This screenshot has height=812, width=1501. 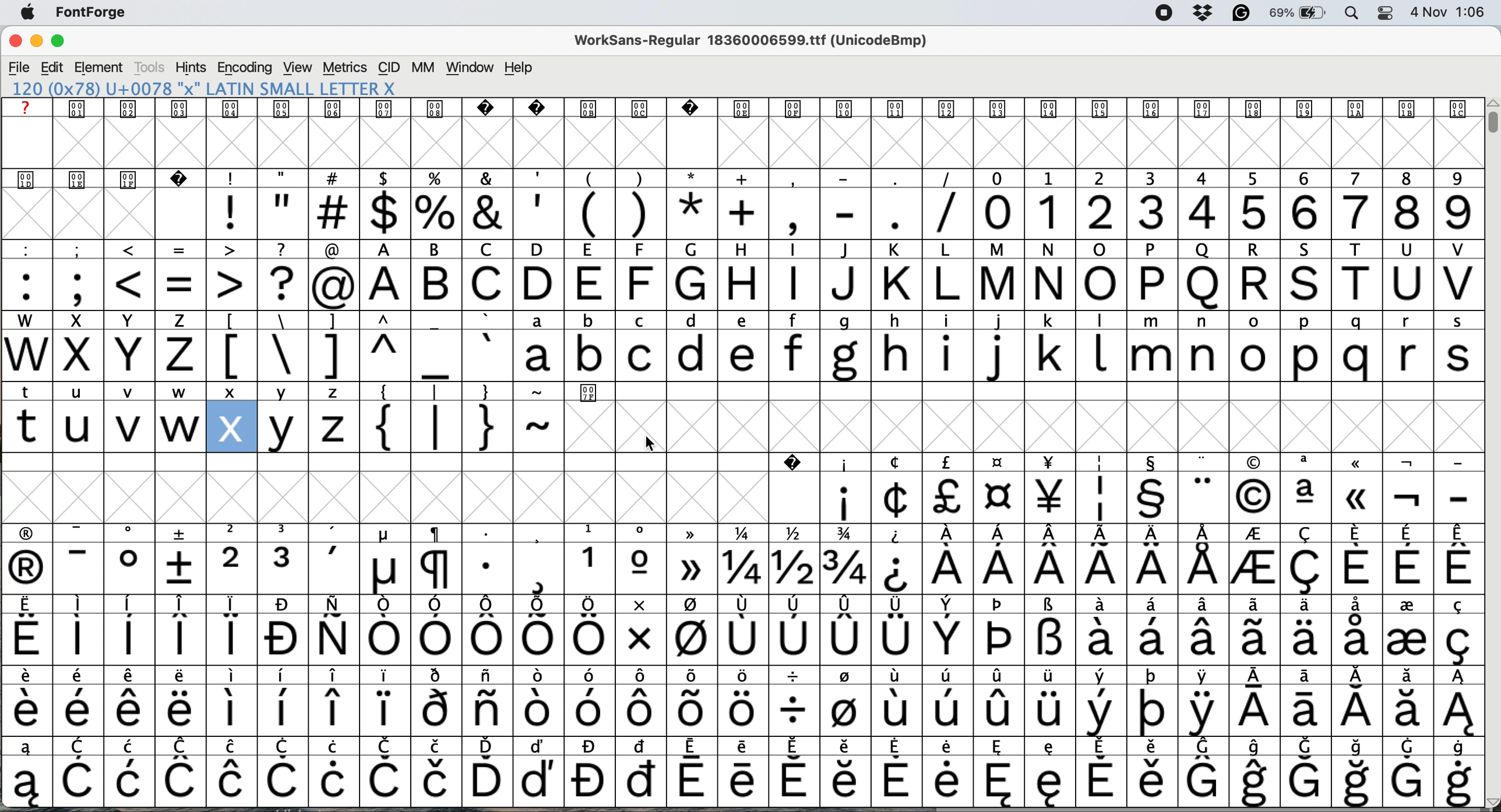 I want to click on element, so click(x=101, y=68).